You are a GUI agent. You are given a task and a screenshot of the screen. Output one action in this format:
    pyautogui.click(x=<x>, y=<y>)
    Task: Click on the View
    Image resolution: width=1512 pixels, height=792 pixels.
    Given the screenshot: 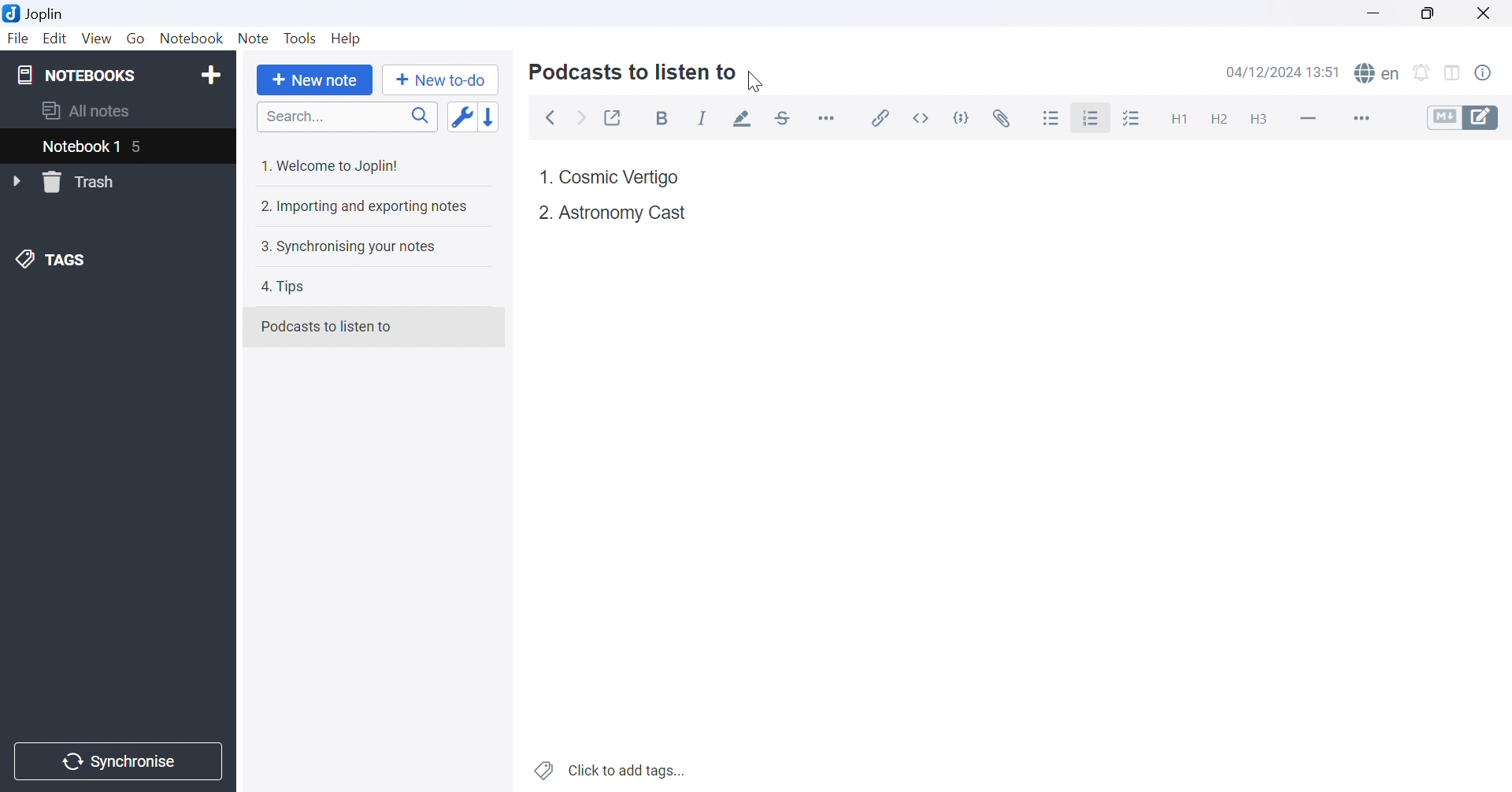 What is the action you would take?
    pyautogui.click(x=97, y=37)
    